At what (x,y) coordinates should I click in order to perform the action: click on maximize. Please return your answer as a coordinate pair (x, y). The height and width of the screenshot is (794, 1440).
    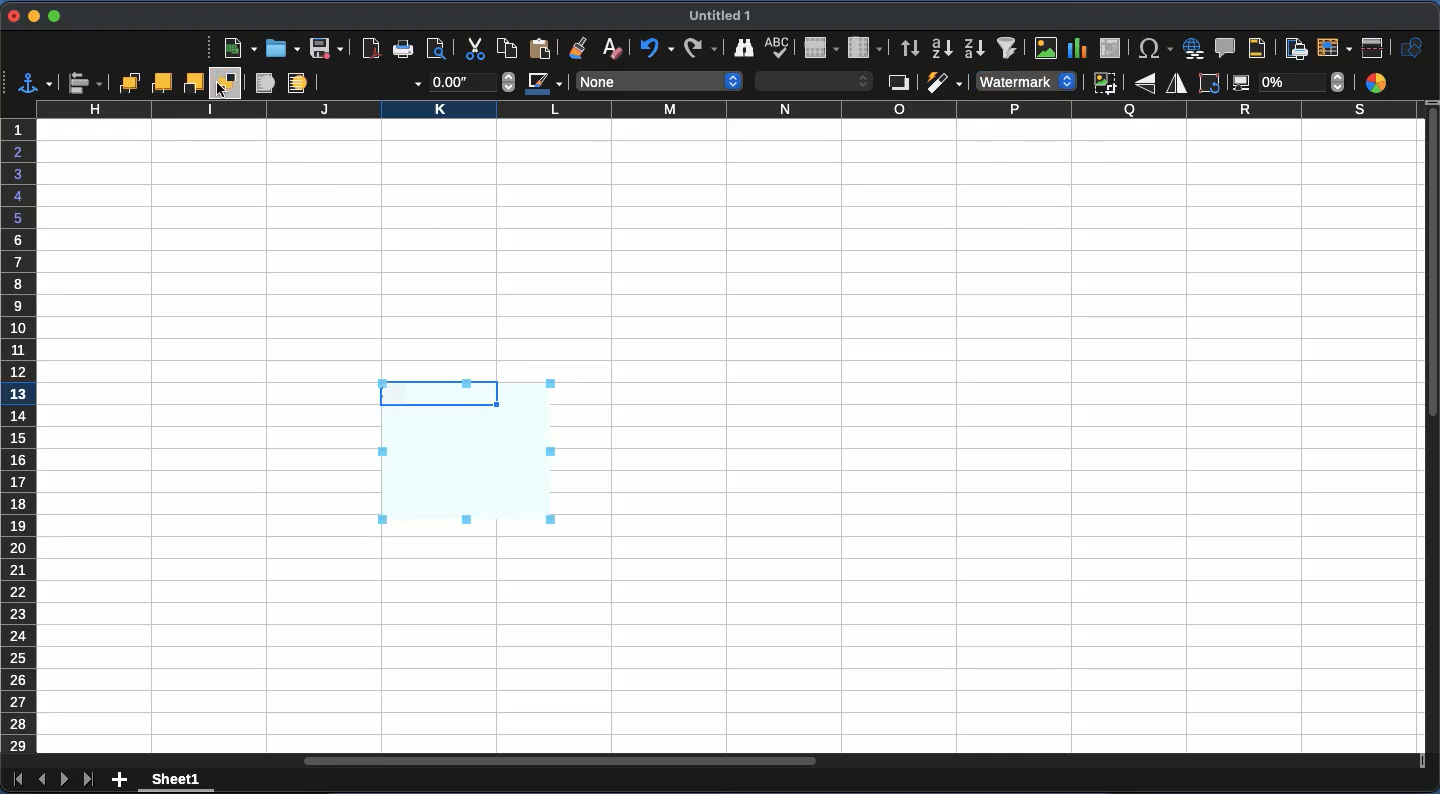
    Looking at the image, I should click on (52, 17).